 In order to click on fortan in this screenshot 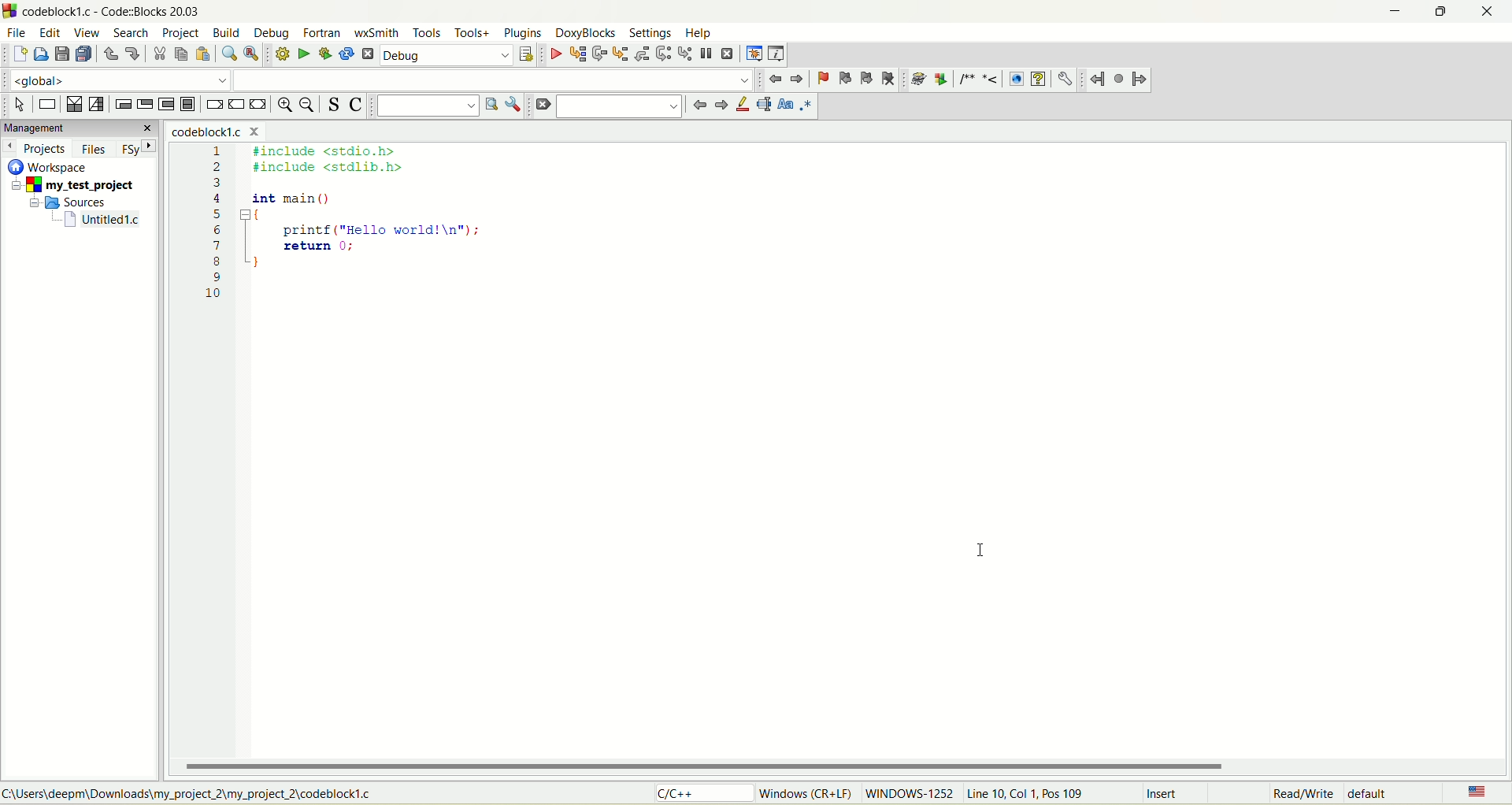, I will do `click(324, 33)`.